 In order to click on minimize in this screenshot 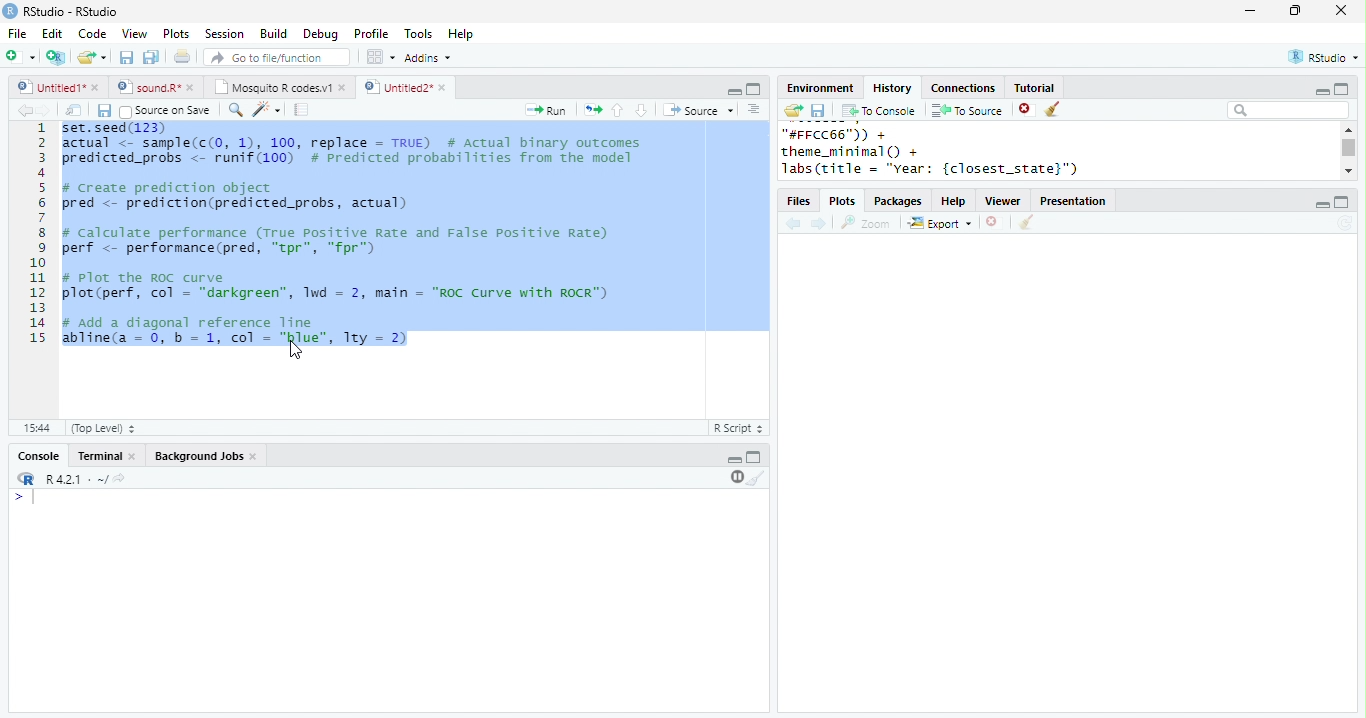, I will do `click(734, 90)`.